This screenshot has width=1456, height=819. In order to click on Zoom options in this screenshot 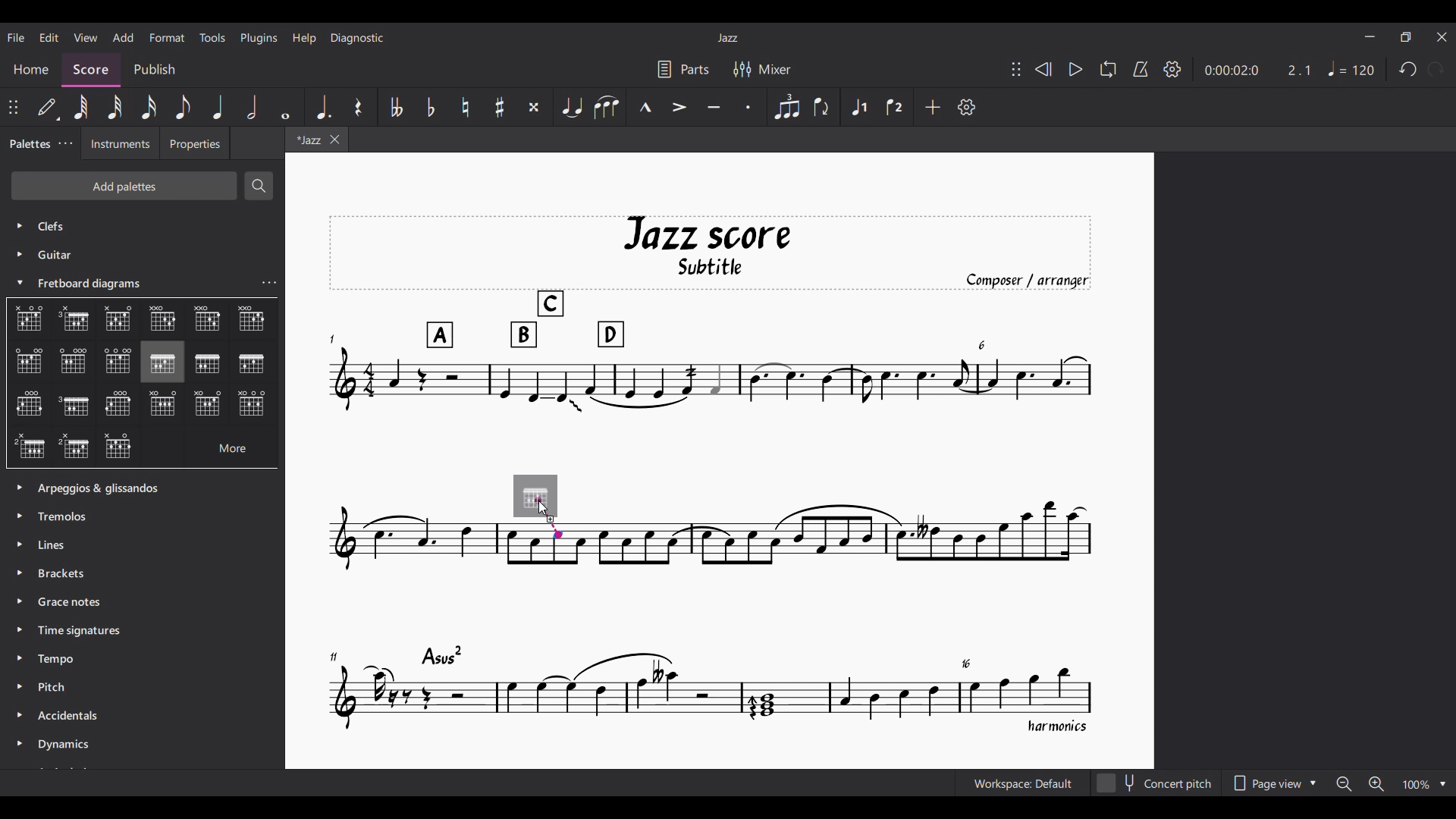, I will do `click(1392, 783)`.